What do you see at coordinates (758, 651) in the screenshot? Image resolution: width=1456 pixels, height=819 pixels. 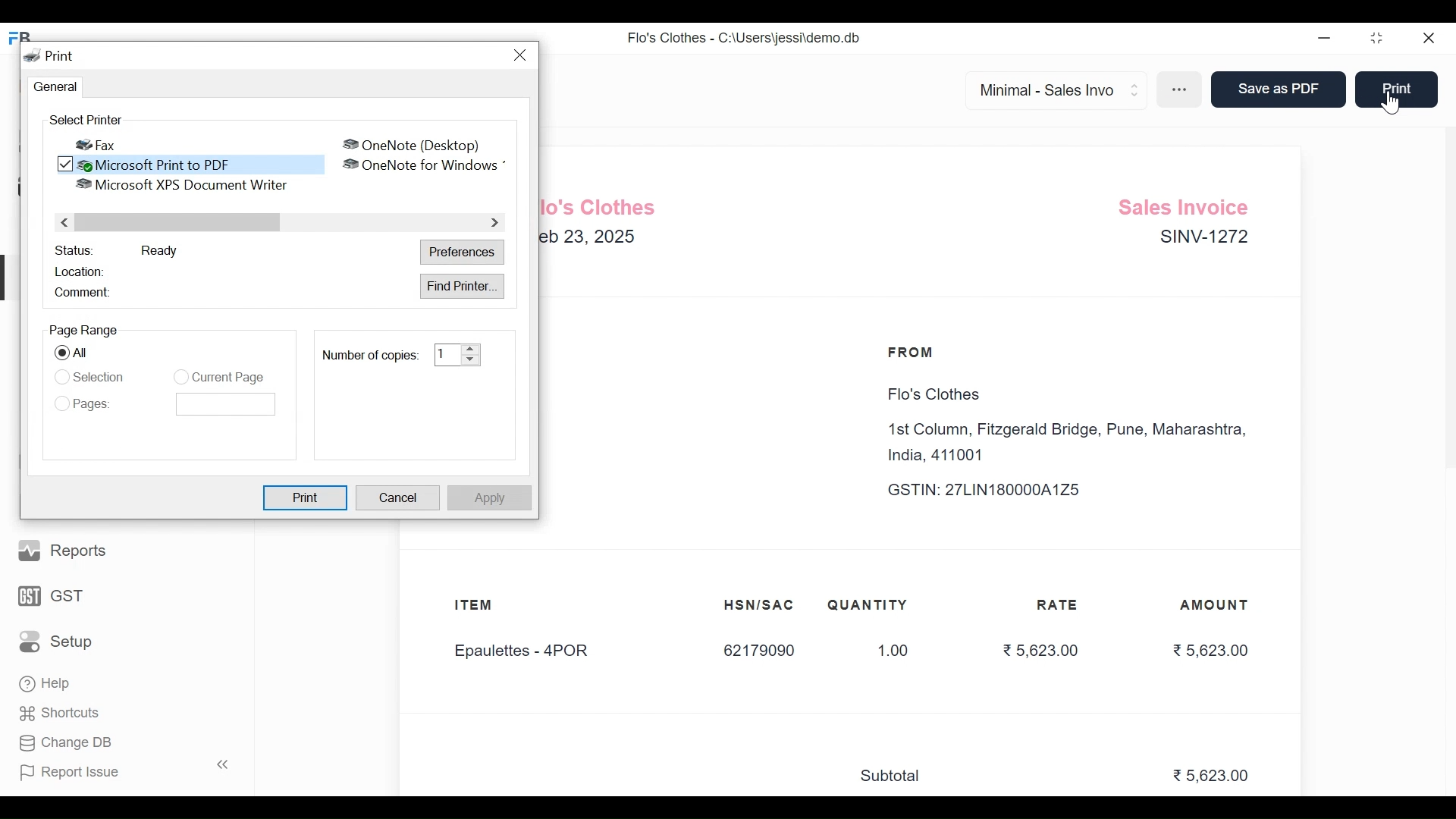 I see `62179090` at bounding box center [758, 651].